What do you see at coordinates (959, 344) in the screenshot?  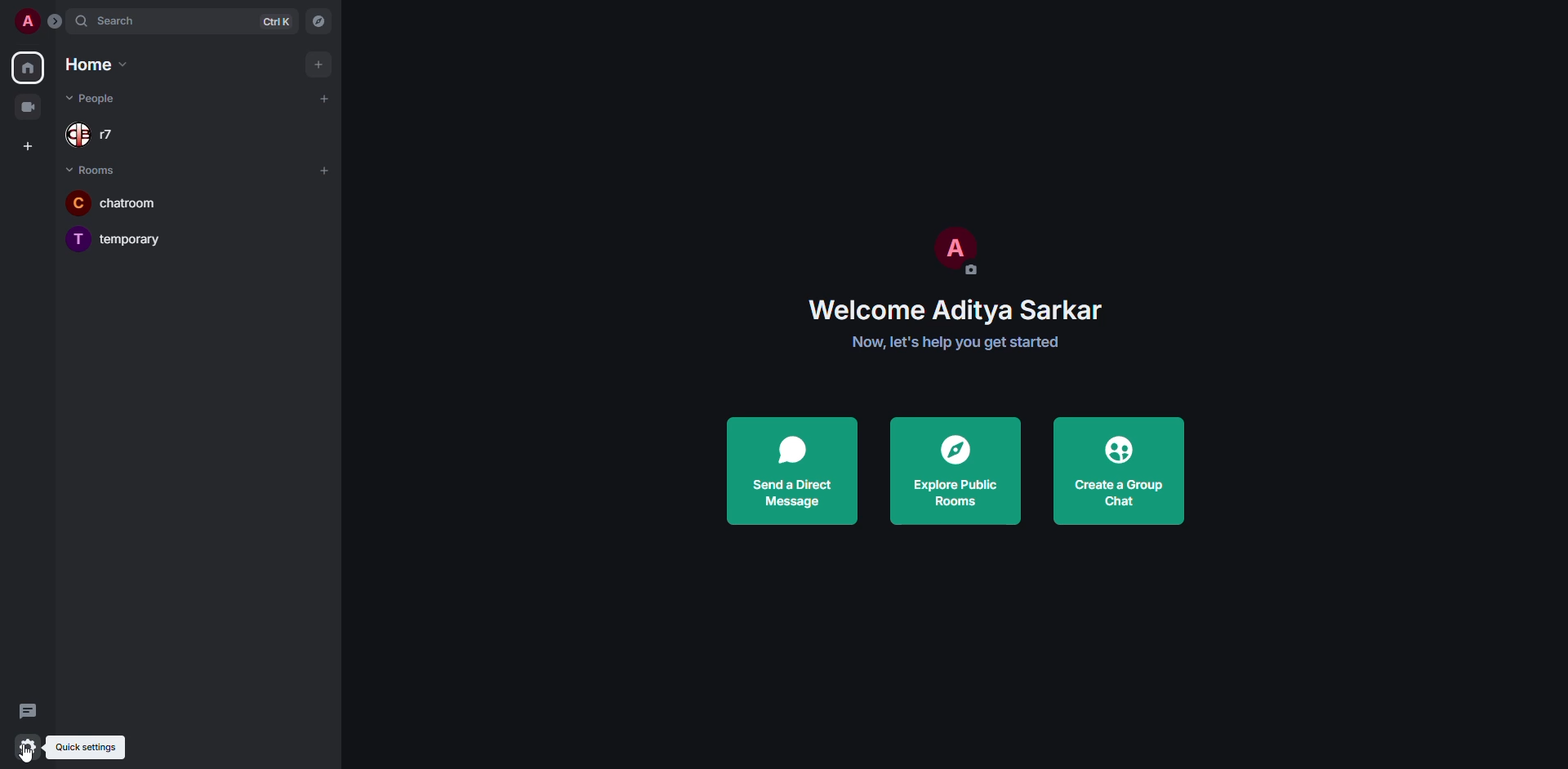 I see `get started` at bounding box center [959, 344].